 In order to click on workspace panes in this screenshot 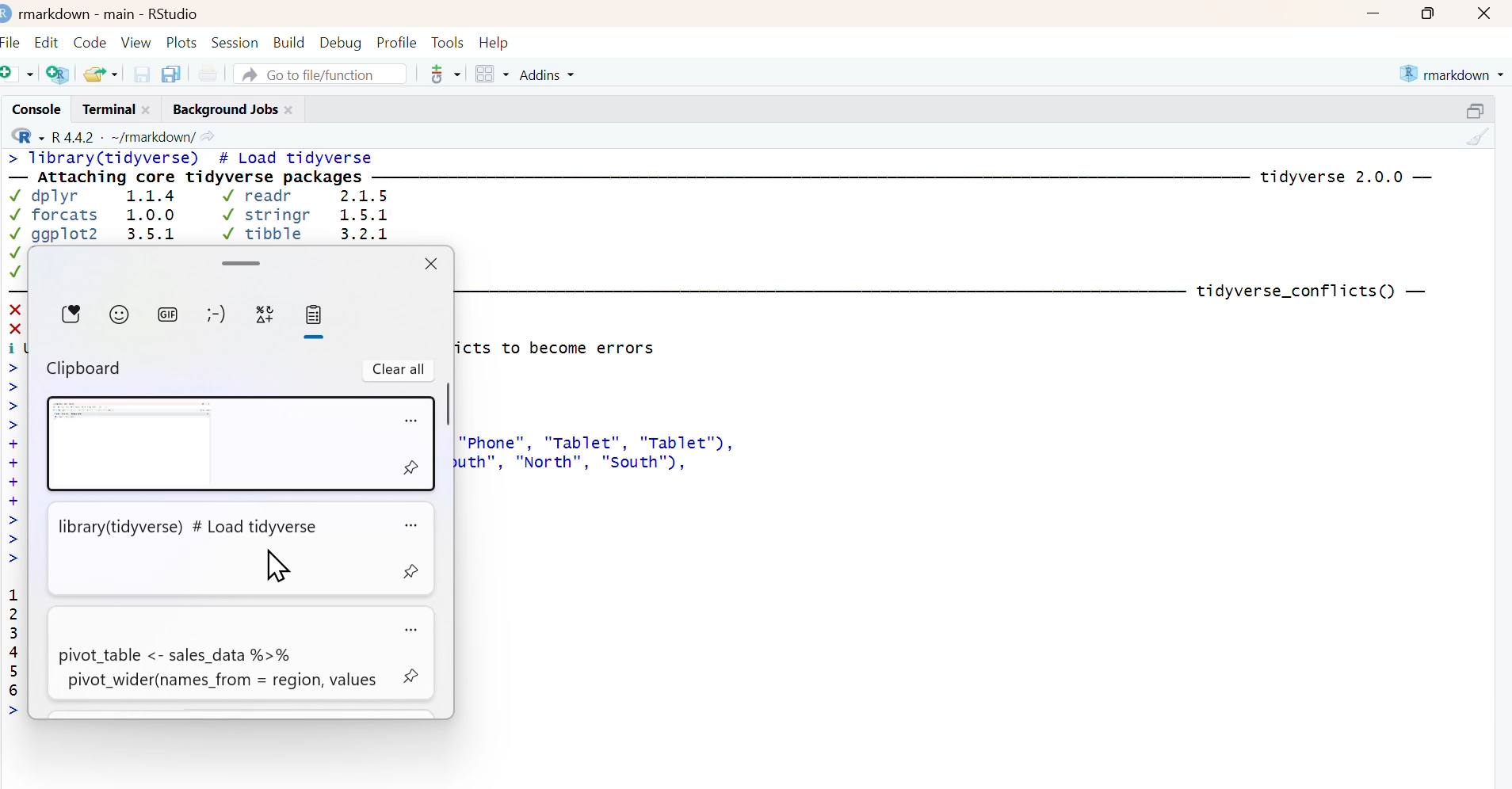, I will do `click(492, 74)`.